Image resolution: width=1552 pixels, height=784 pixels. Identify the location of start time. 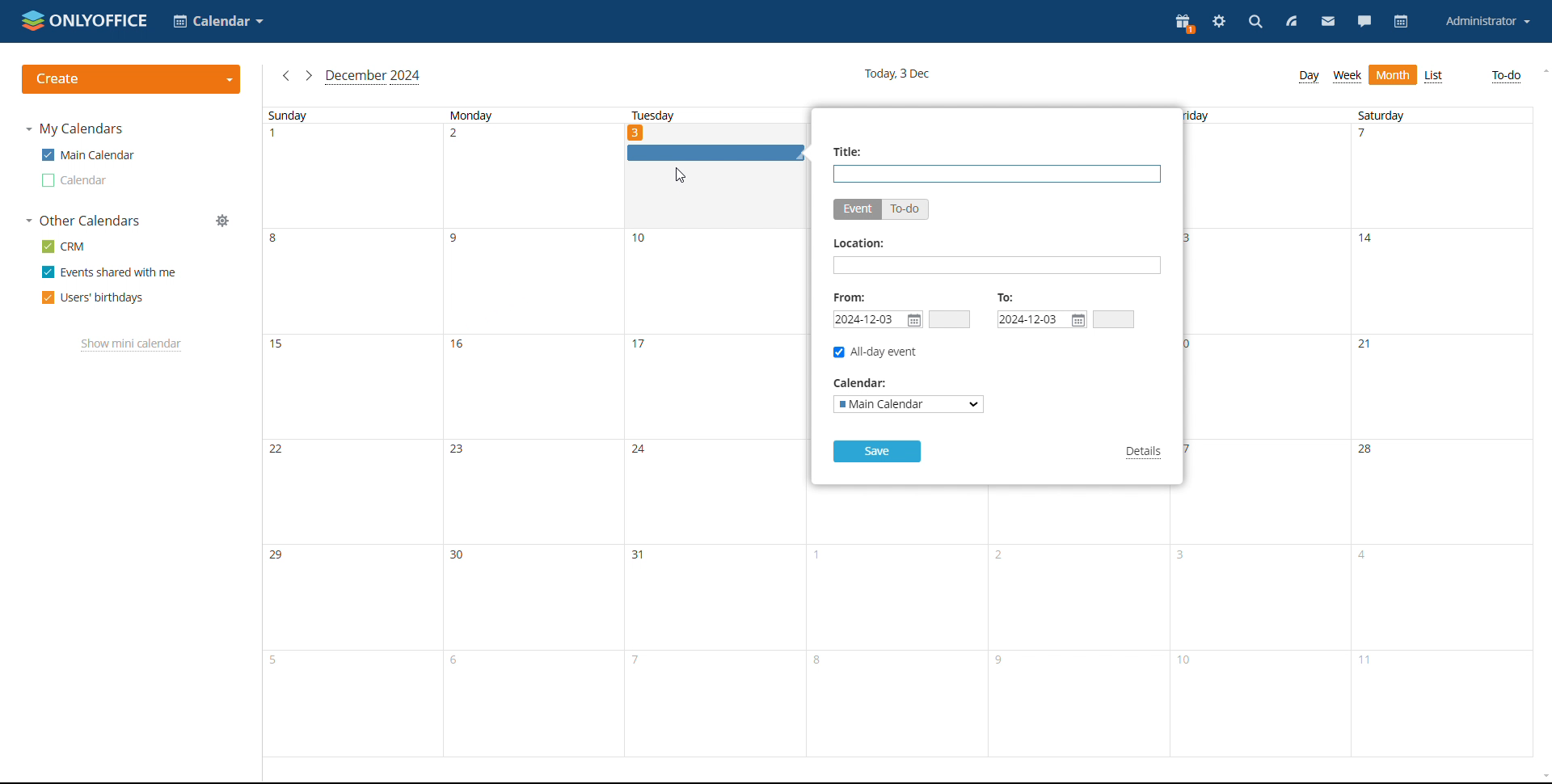
(949, 319).